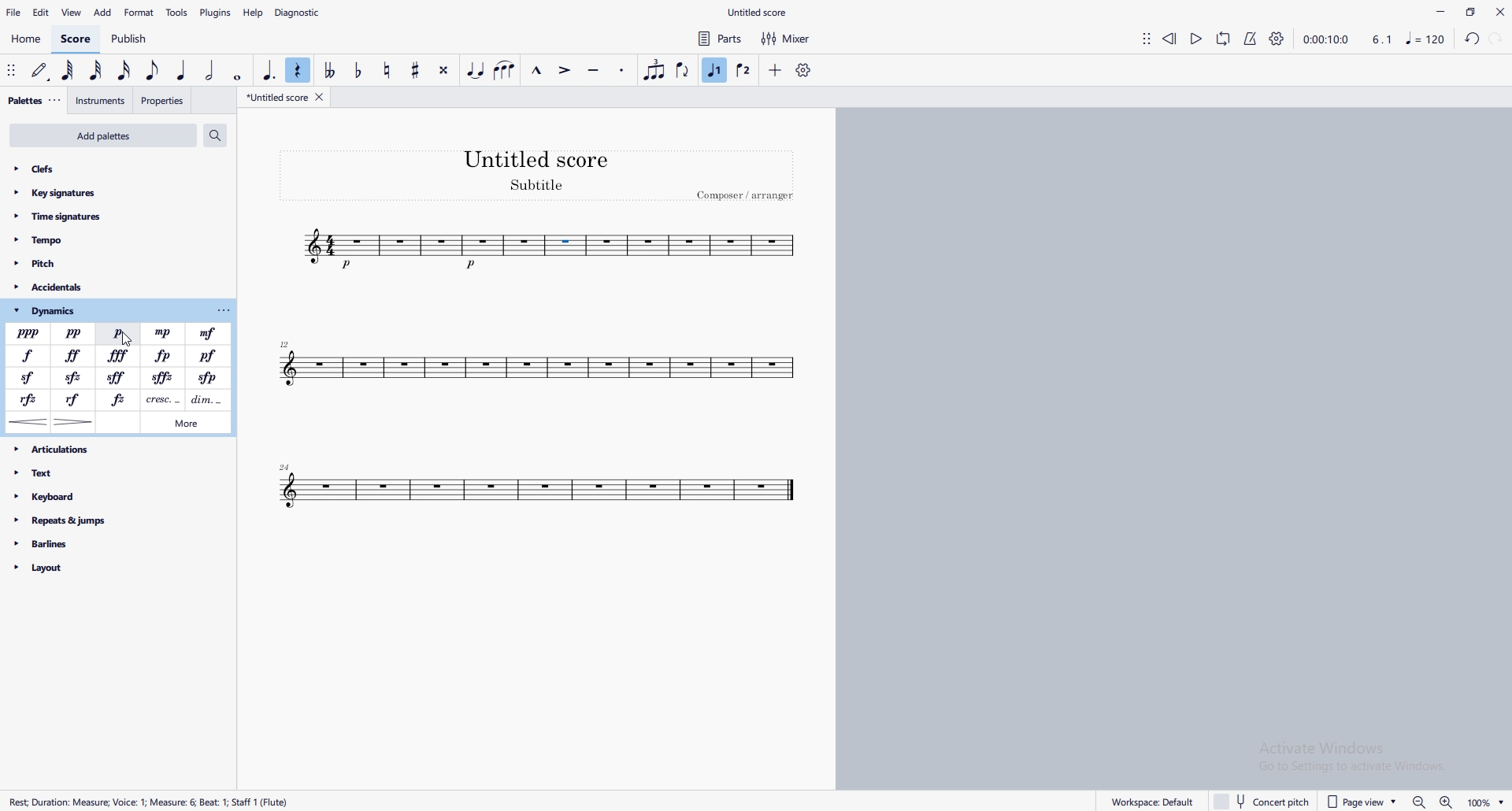  What do you see at coordinates (102, 217) in the screenshot?
I see `time signatures` at bounding box center [102, 217].